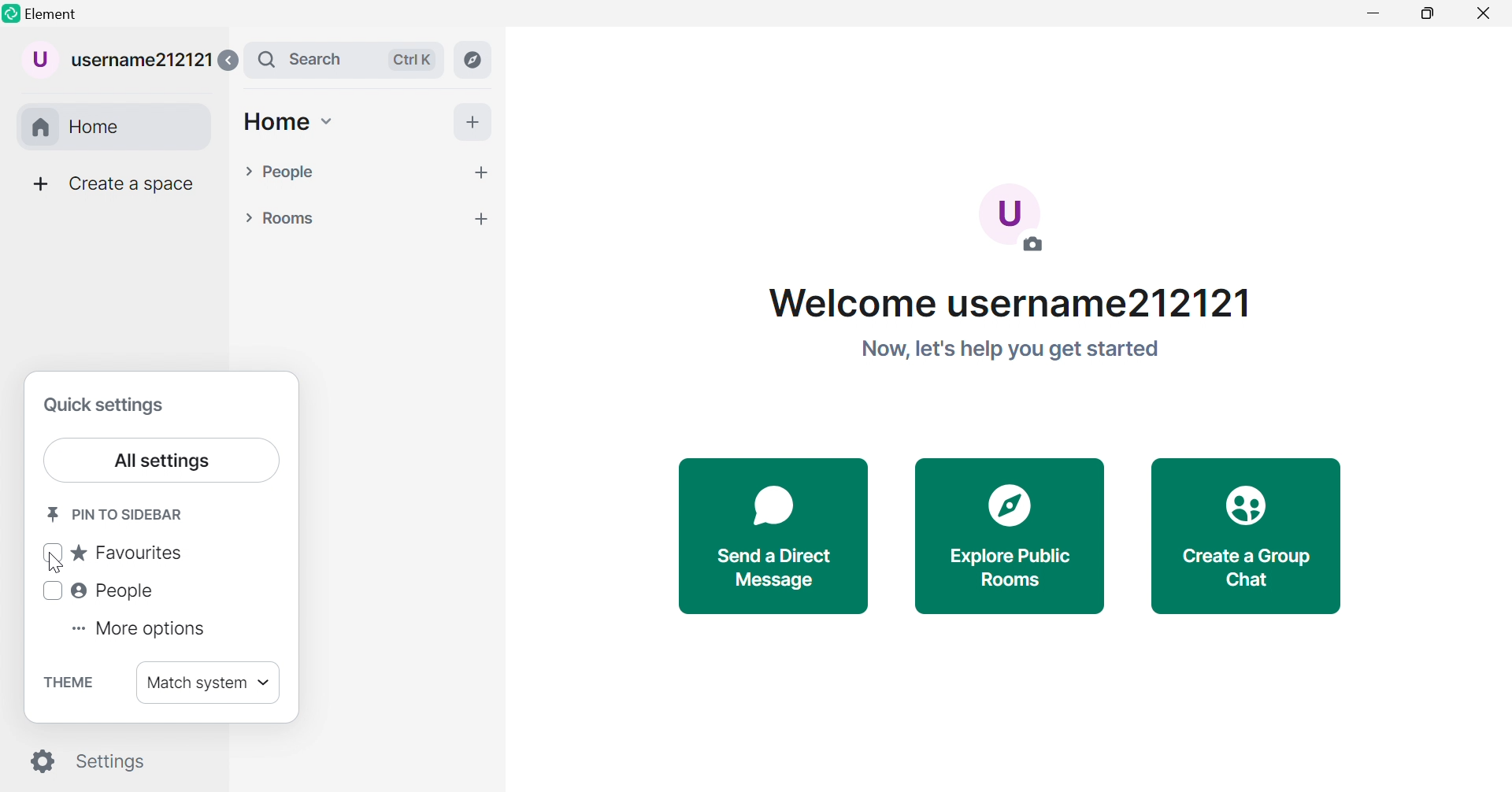 The height and width of the screenshot is (792, 1512). Describe the element at coordinates (480, 172) in the screenshot. I see `more` at that location.